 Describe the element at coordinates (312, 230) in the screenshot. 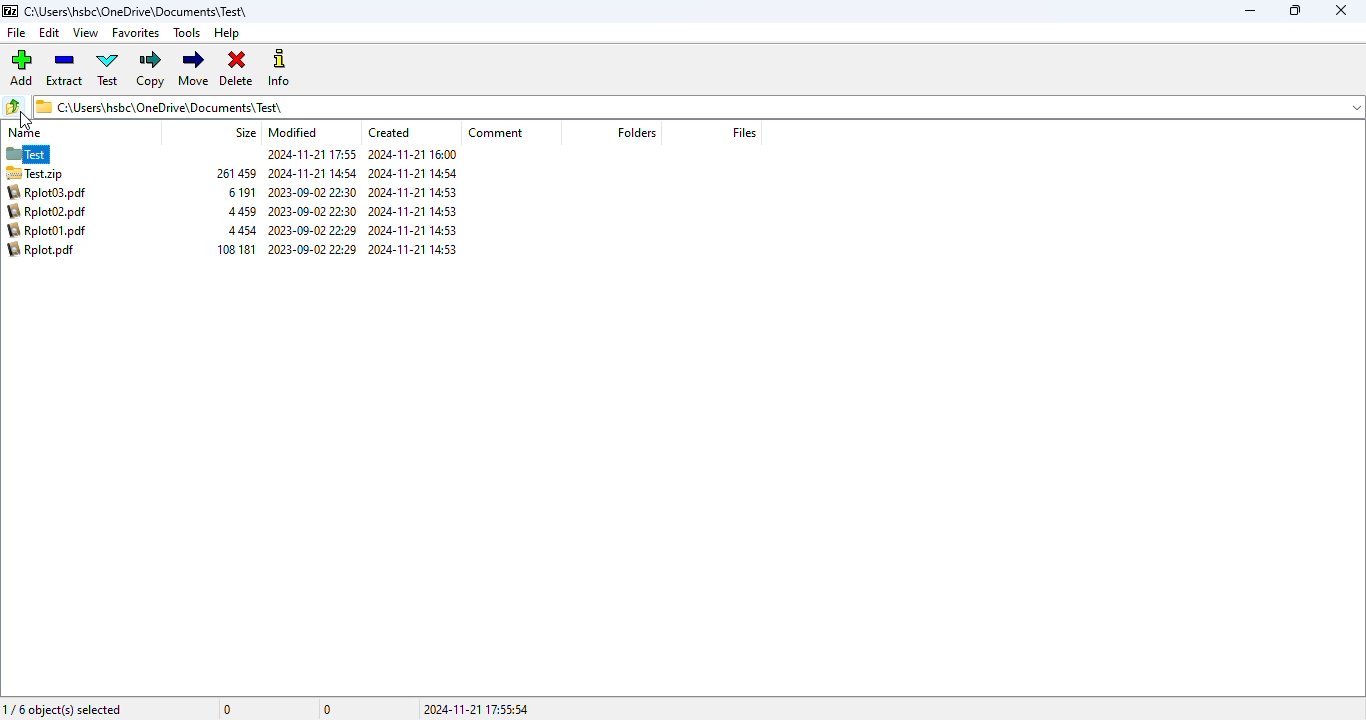

I see `2023-09-02 22:29` at that location.